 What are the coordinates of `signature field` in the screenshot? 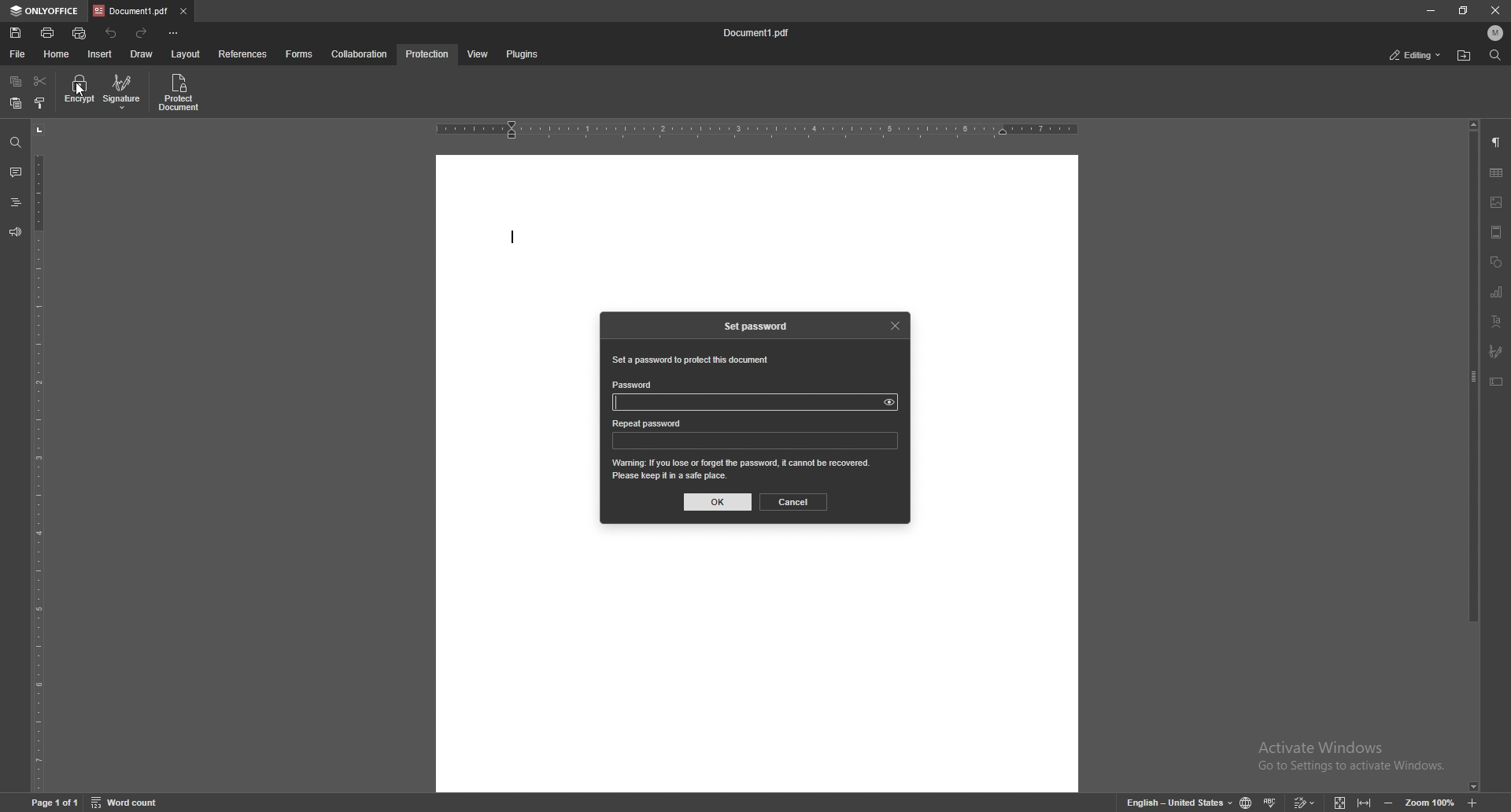 It's located at (1497, 350).